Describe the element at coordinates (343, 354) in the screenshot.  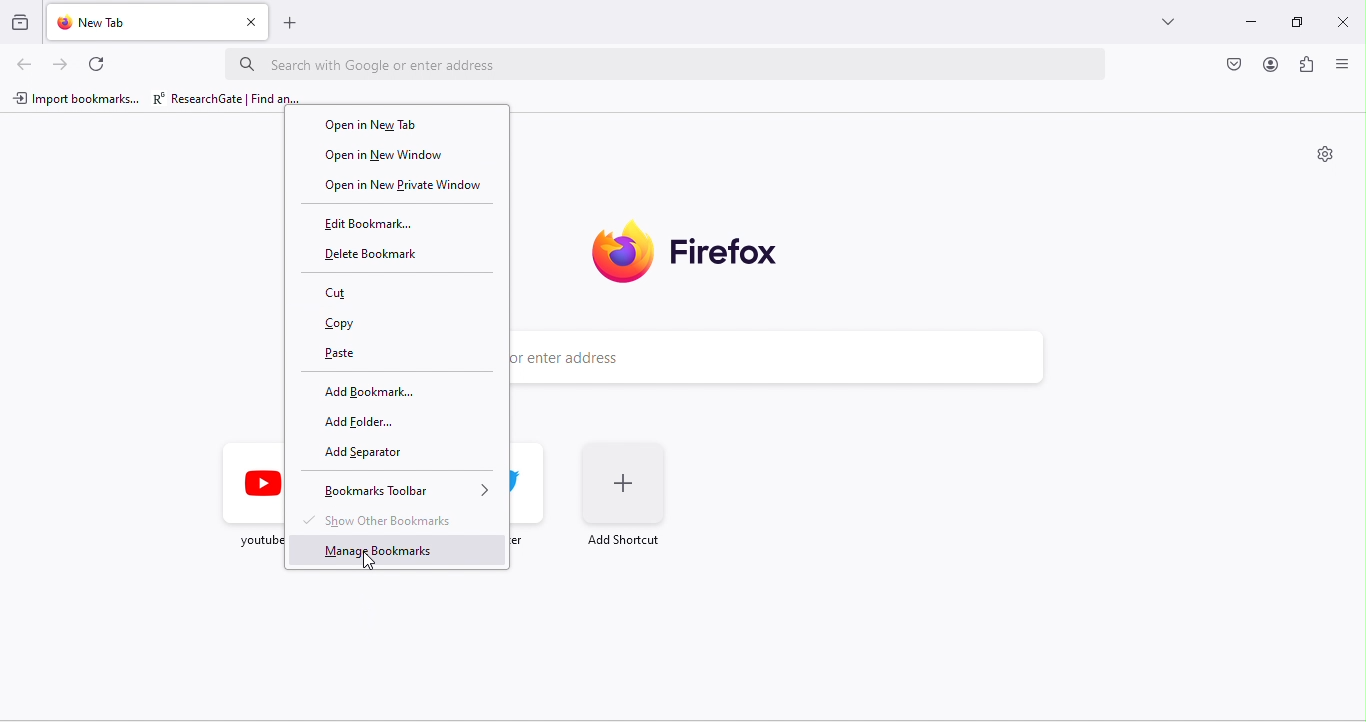
I see `paste` at that location.